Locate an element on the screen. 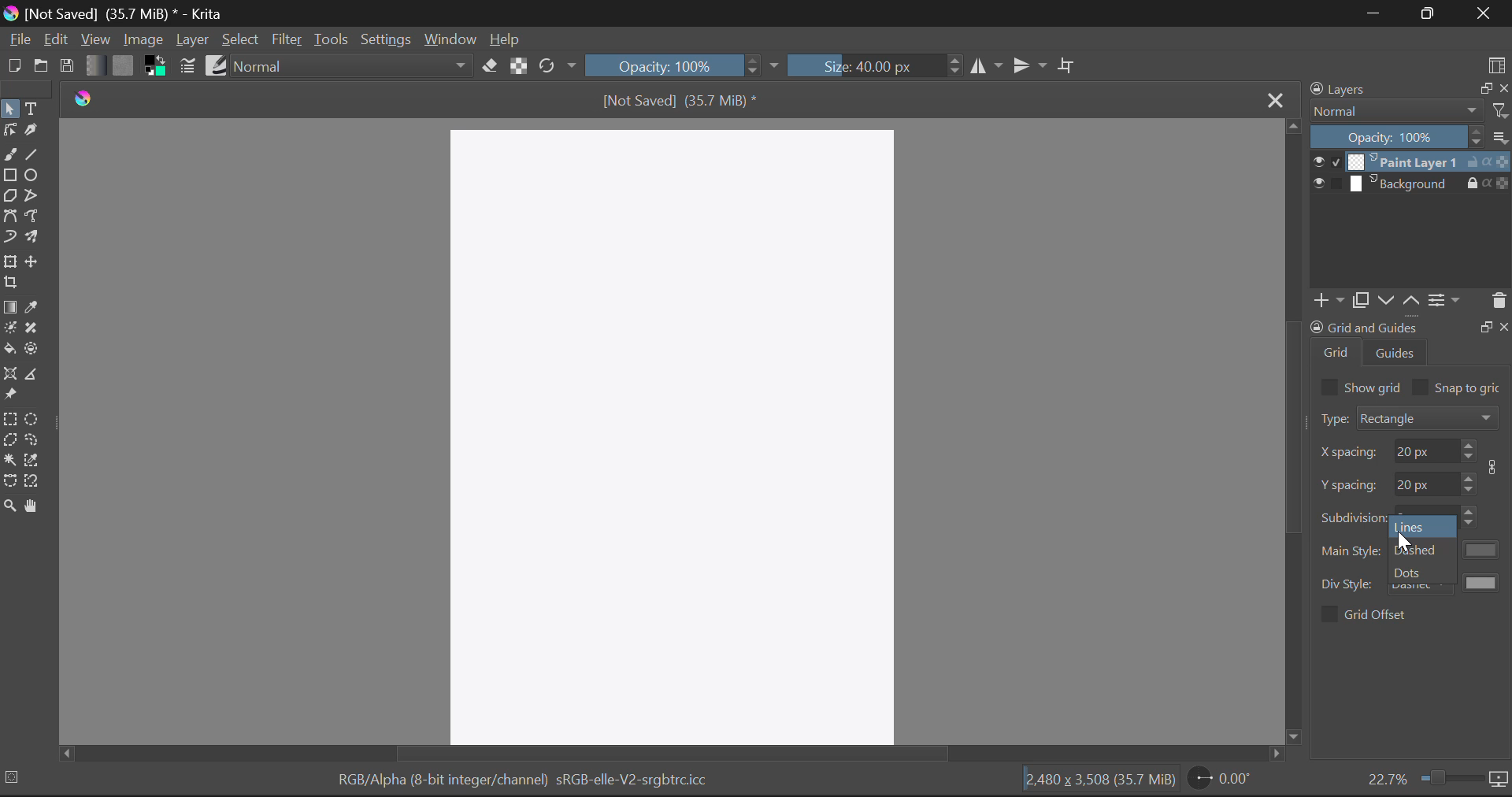 The width and height of the screenshot is (1512, 797). Move Layer is located at coordinates (34, 261).